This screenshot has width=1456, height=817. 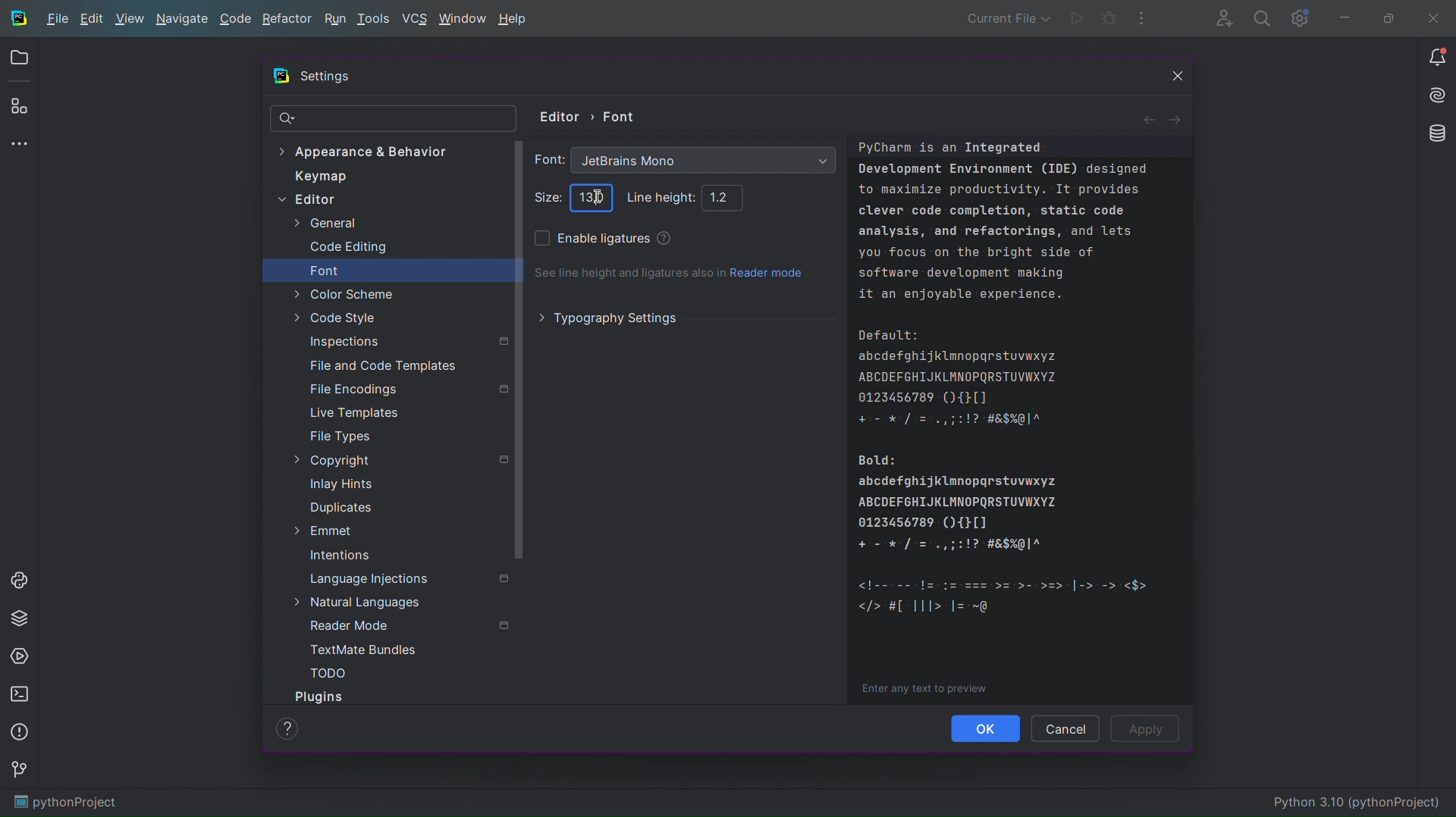 What do you see at coordinates (21, 658) in the screenshot?
I see `Services` at bounding box center [21, 658].